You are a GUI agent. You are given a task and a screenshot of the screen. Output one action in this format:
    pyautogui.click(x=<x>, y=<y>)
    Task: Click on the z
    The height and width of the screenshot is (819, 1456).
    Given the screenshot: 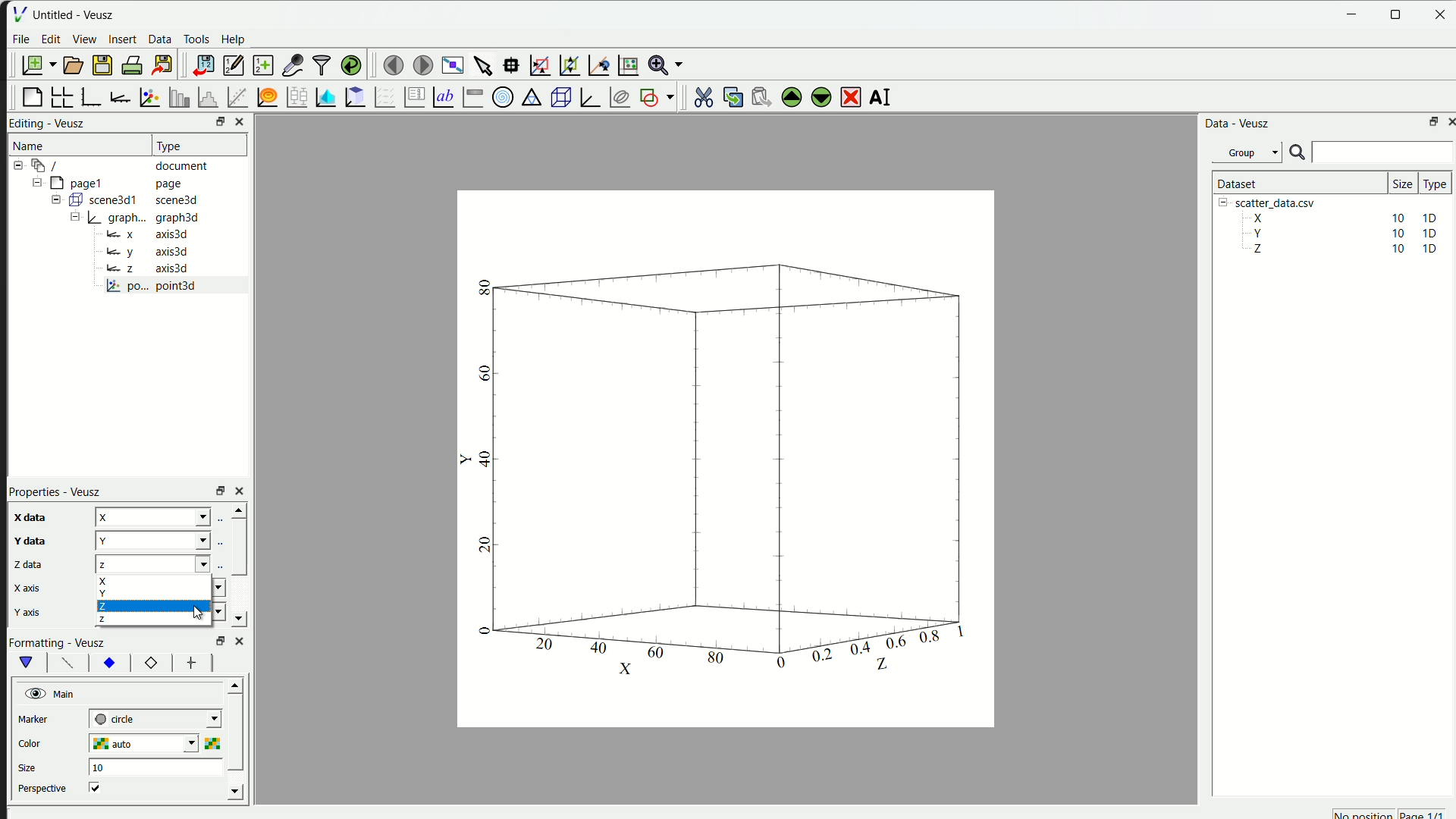 What is the action you would take?
    pyautogui.click(x=168, y=565)
    